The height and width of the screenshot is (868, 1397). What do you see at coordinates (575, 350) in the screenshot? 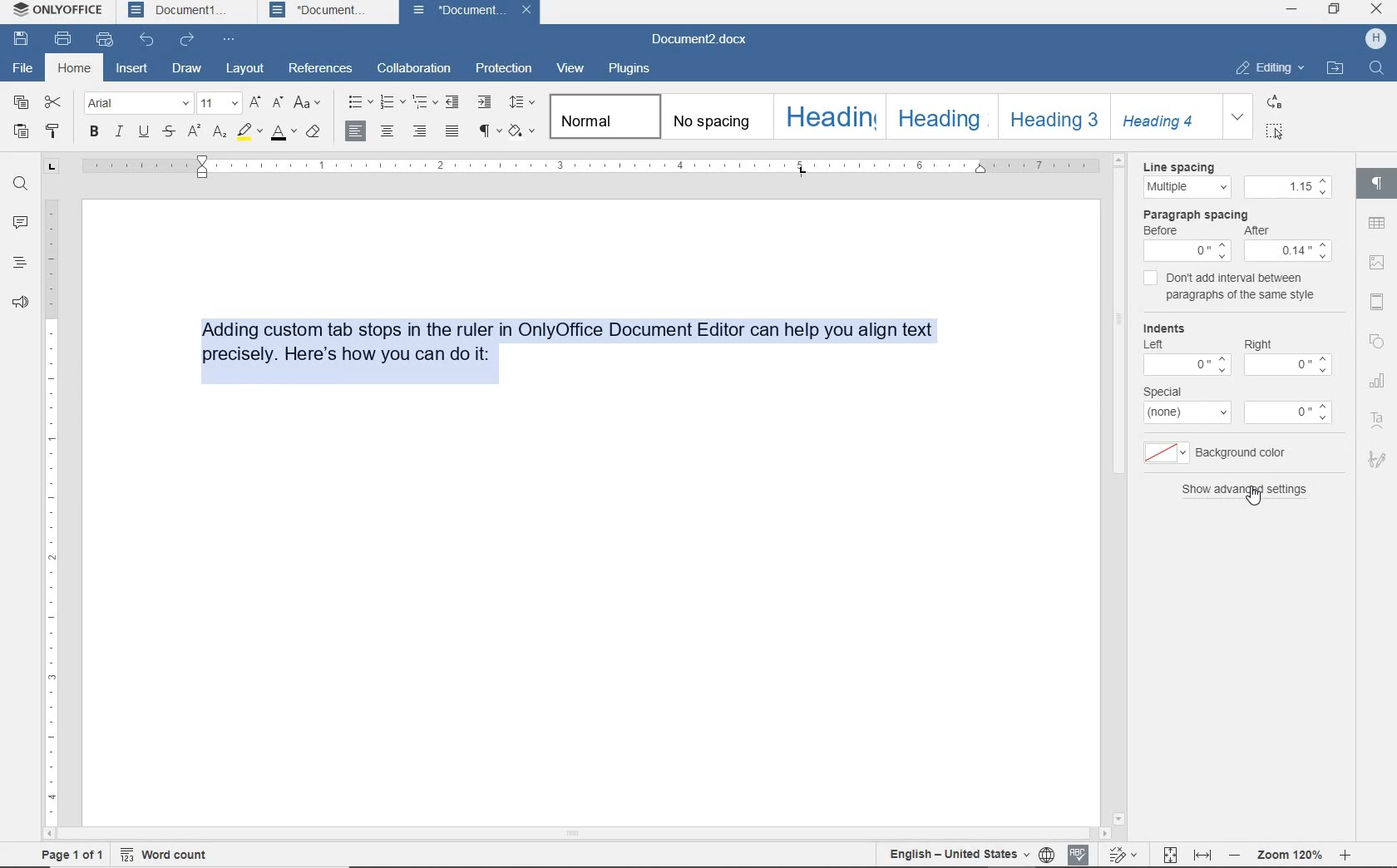
I see `Adding custom tab stops in the ruler in OnlyOffice Document Editor can help you align text
precisely. Here's how you can do it:` at bounding box center [575, 350].